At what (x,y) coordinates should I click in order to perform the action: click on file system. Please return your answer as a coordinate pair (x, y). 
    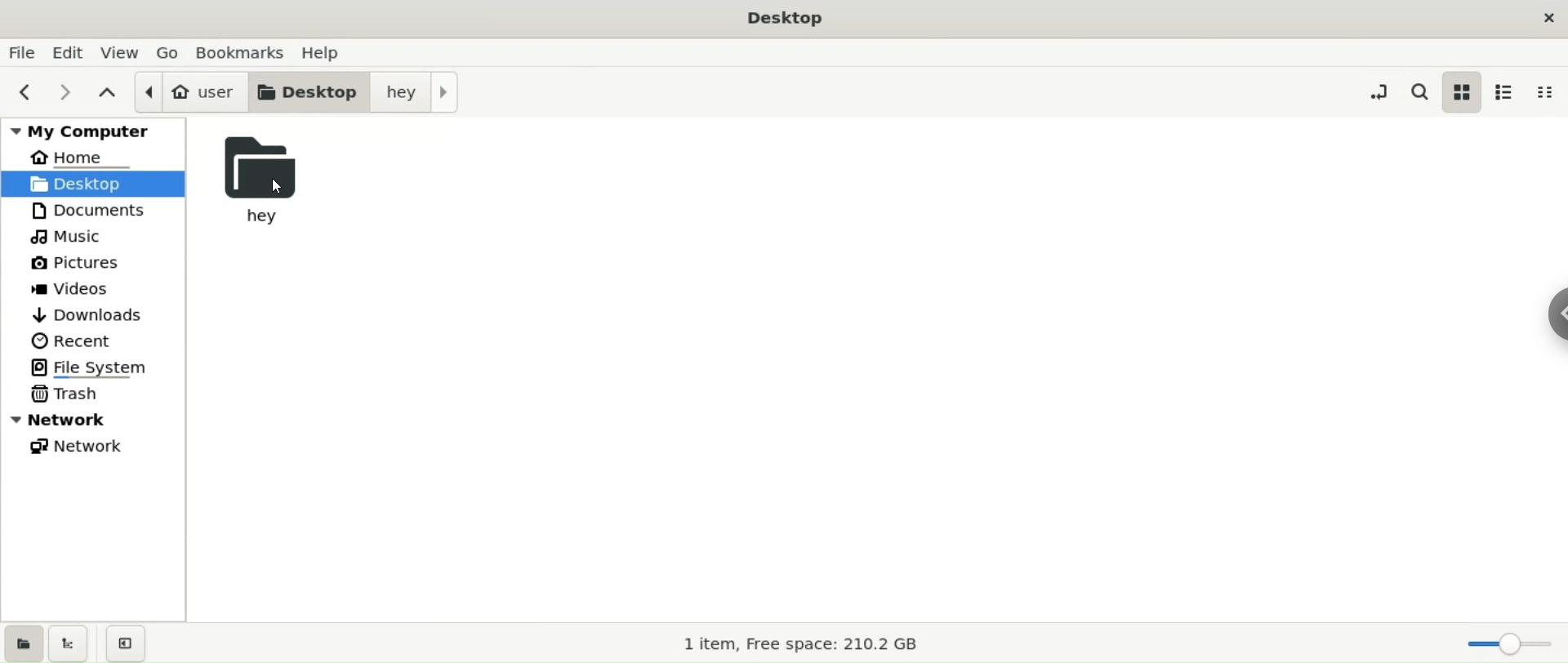
    Looking at the image, I should click on (91, 369).